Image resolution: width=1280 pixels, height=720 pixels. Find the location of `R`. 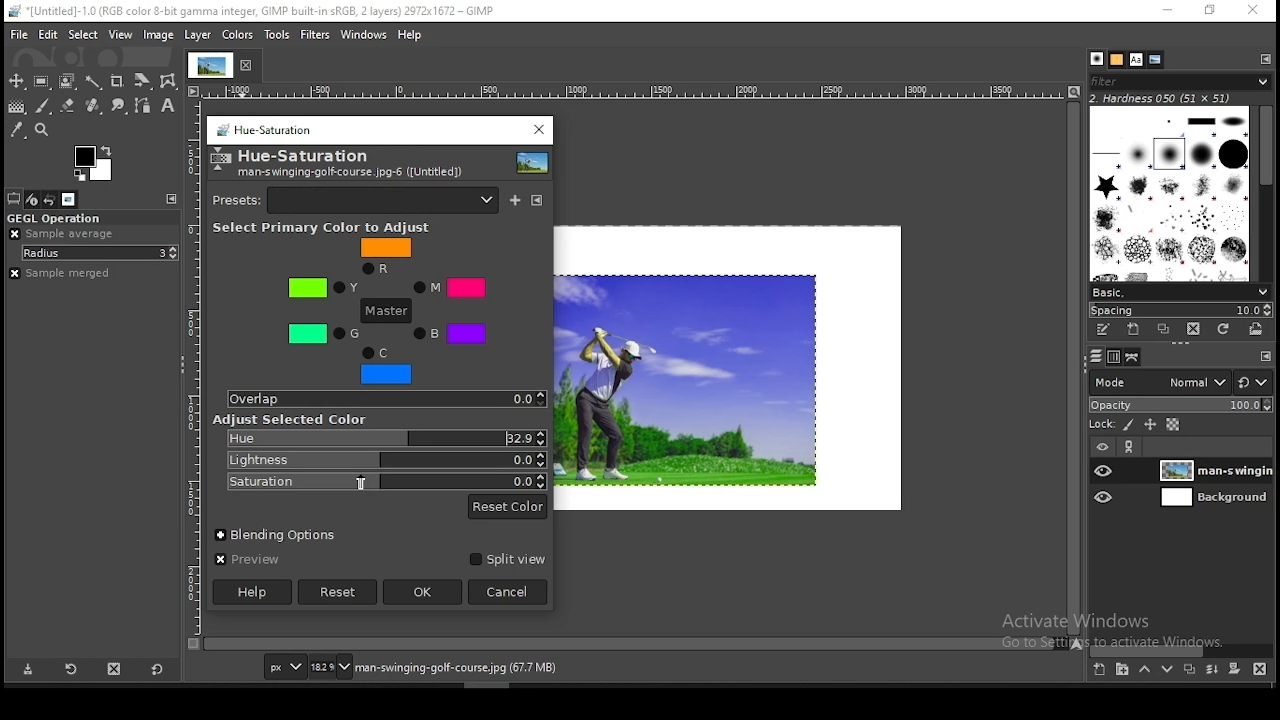

R is located at coordinates (385, 256).